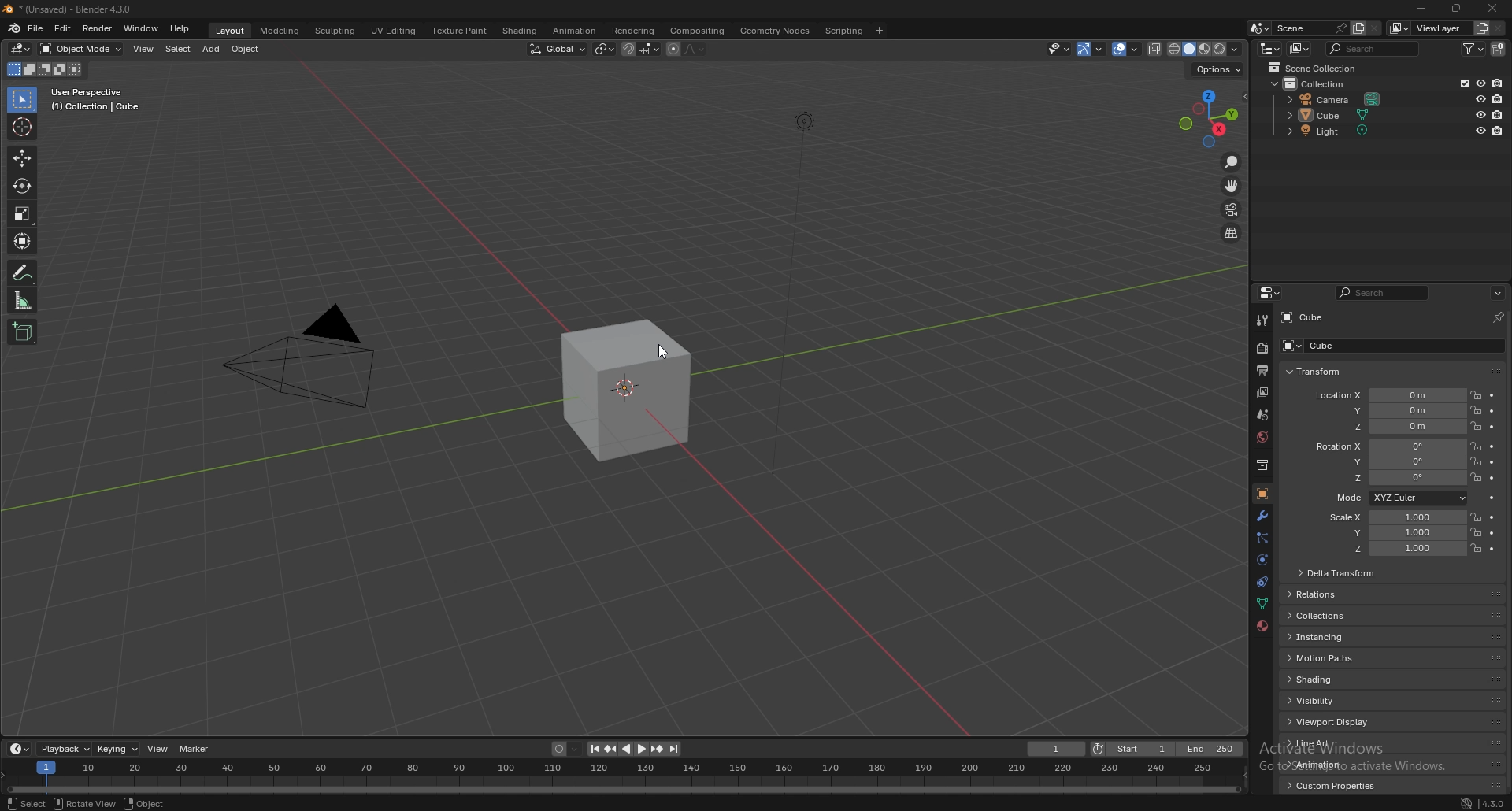 This screenshot has height=811, width=1512. What do you see at coordinates (592, 749) in the screenshot?
I see `jump to endpoint` at bounding box center [592, 749].